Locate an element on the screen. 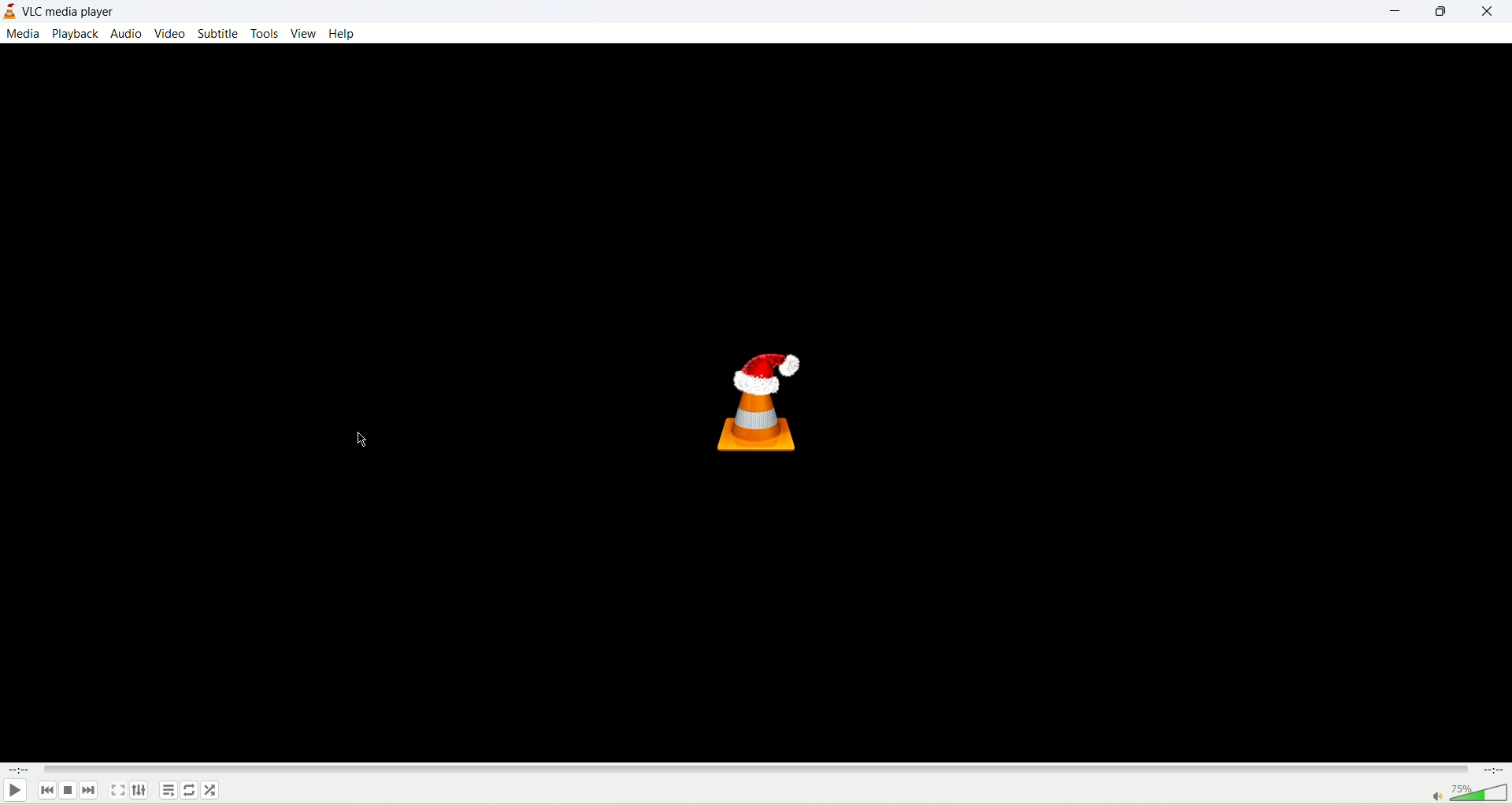 The image size is (1512, 805). maximize is located at coordinates (1443, 14).